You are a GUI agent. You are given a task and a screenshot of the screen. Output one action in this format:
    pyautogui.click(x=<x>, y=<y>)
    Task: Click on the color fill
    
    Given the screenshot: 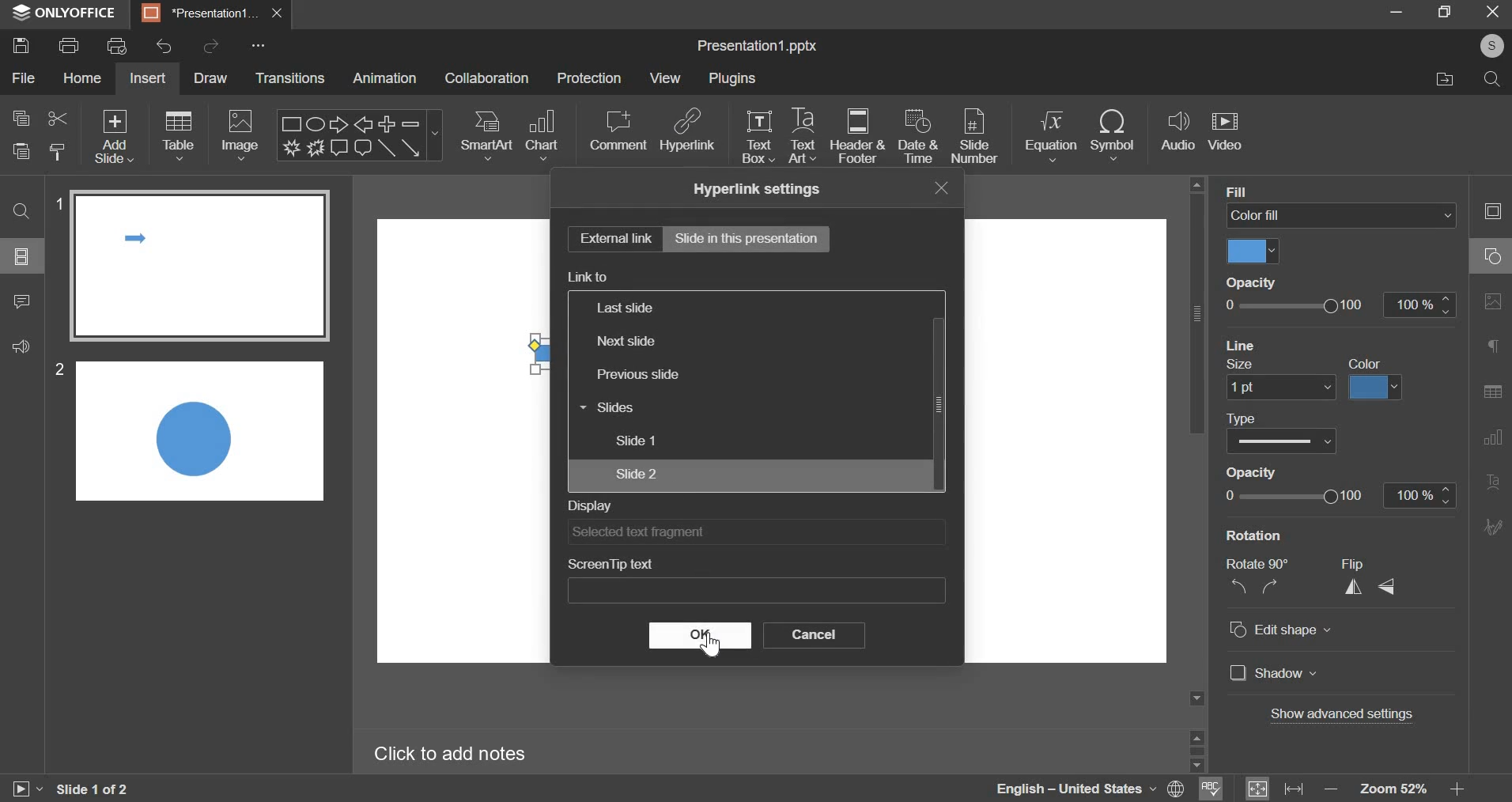 What is the action you would take?
    pyautogui.click(x=1341, y=216)
    